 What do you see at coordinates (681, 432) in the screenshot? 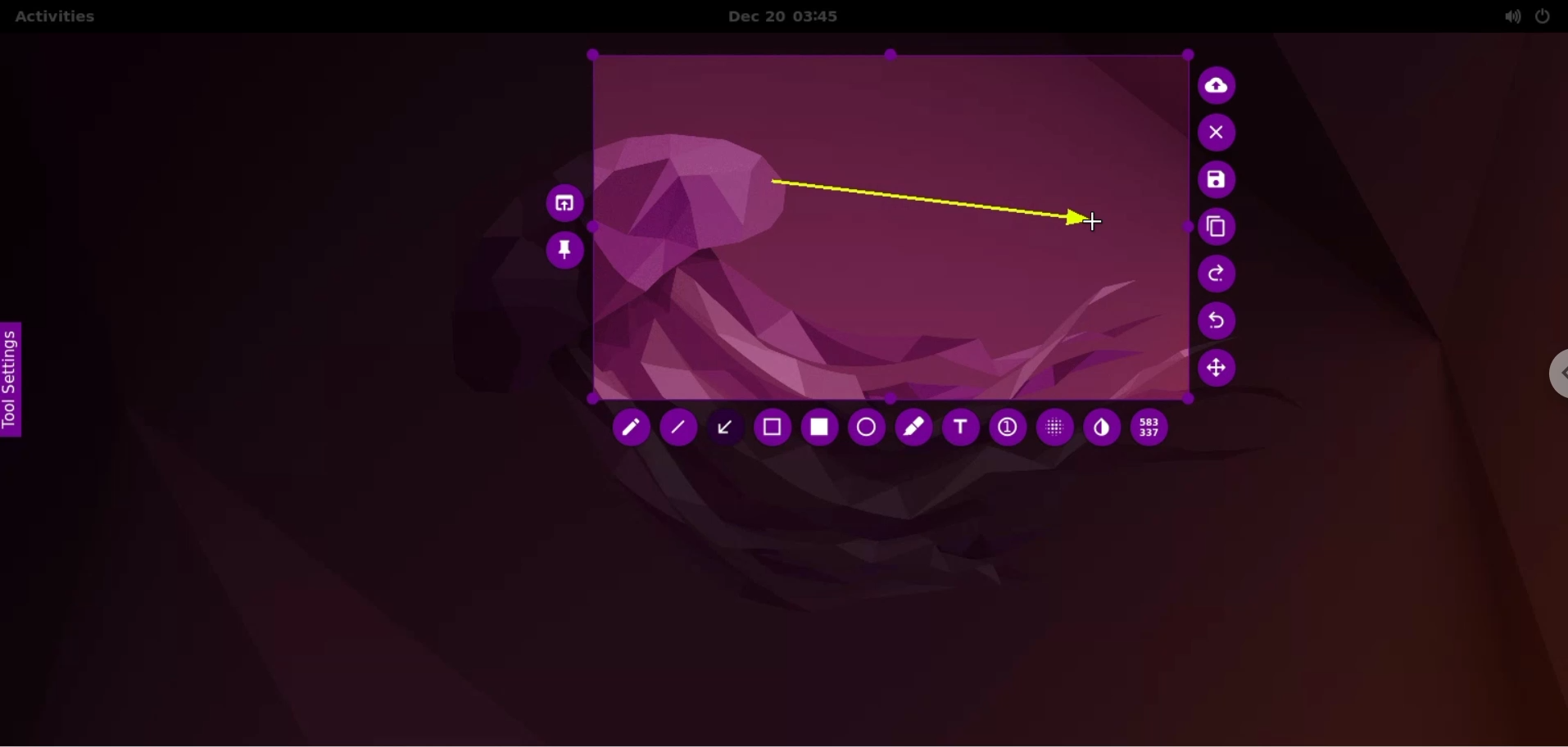
I see `line tool` at bounding box center [681, 432].